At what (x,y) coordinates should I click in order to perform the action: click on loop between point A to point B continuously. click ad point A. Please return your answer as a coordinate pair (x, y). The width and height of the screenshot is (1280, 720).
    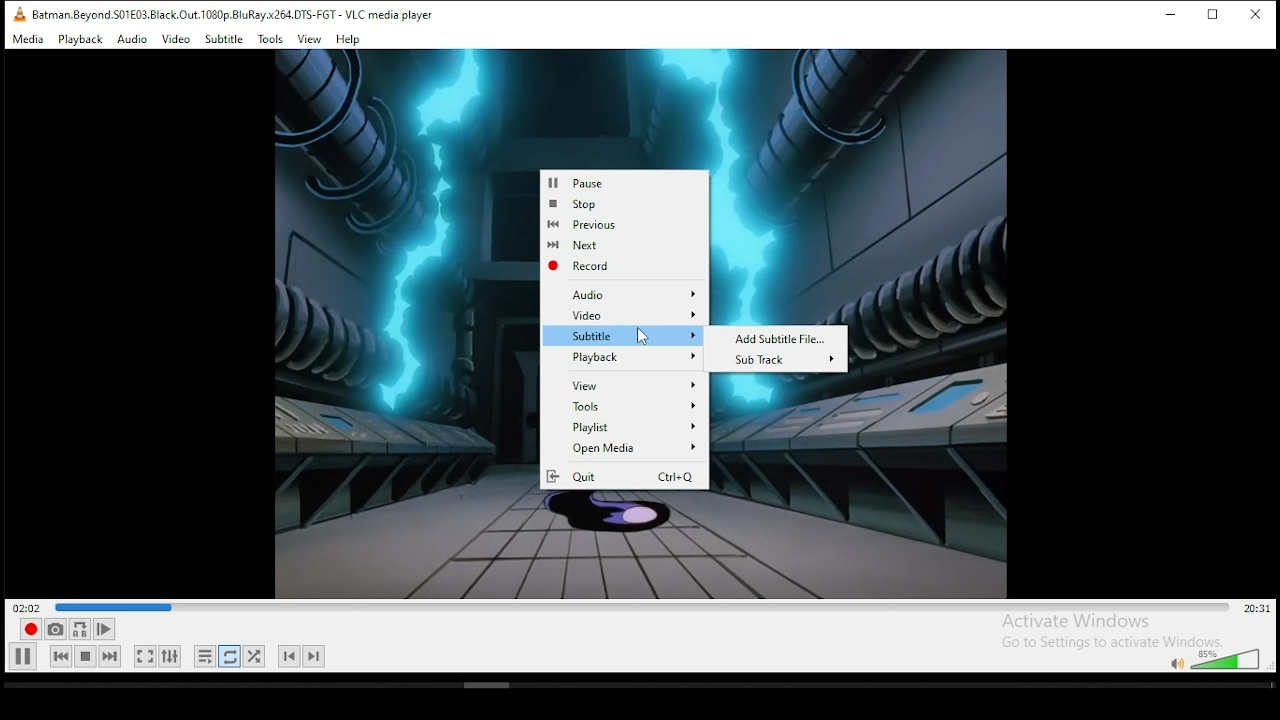
    Looking at the image, I should click on (80, 629).